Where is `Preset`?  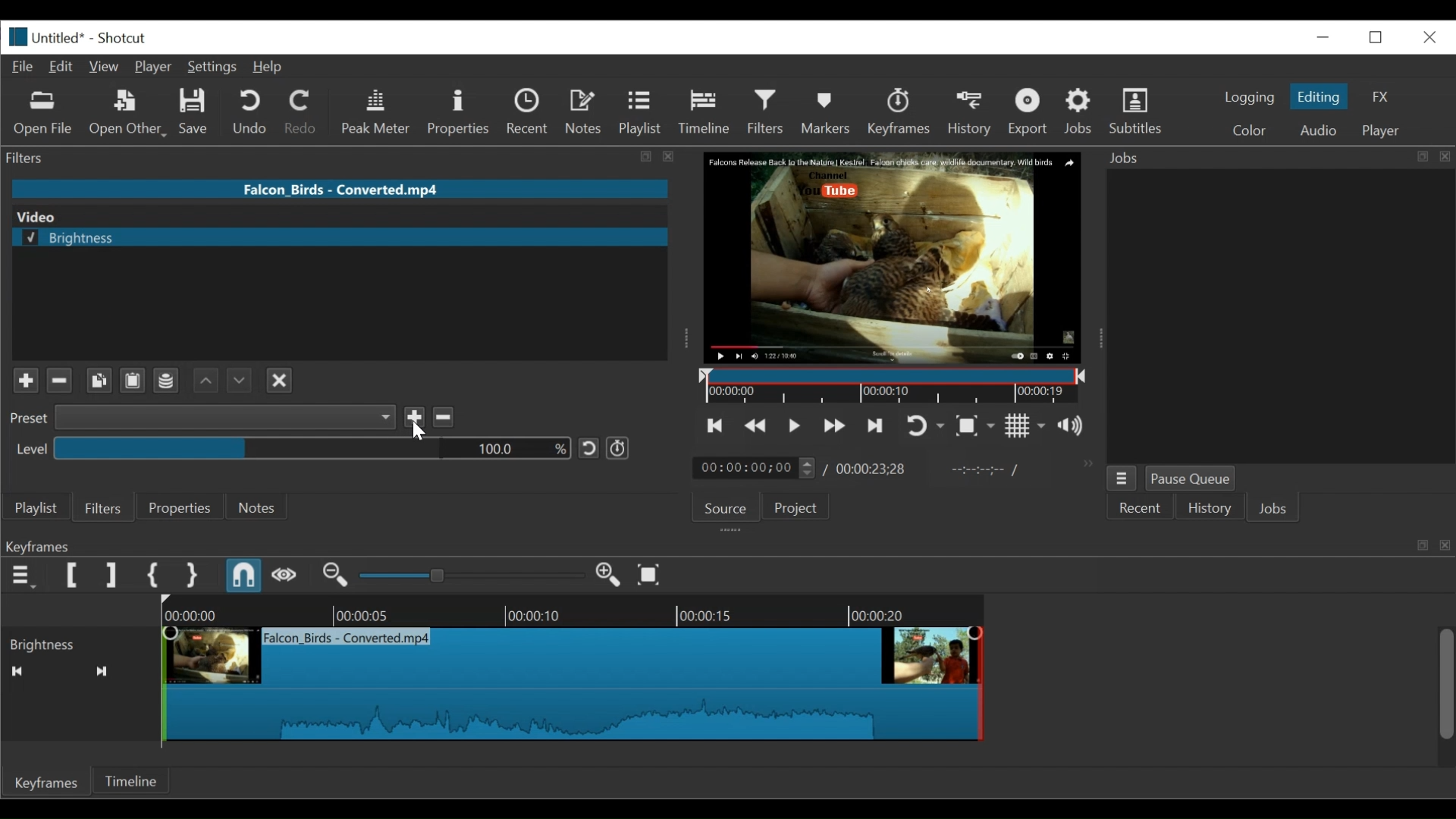 Preset is located at coordinates (24, 421).